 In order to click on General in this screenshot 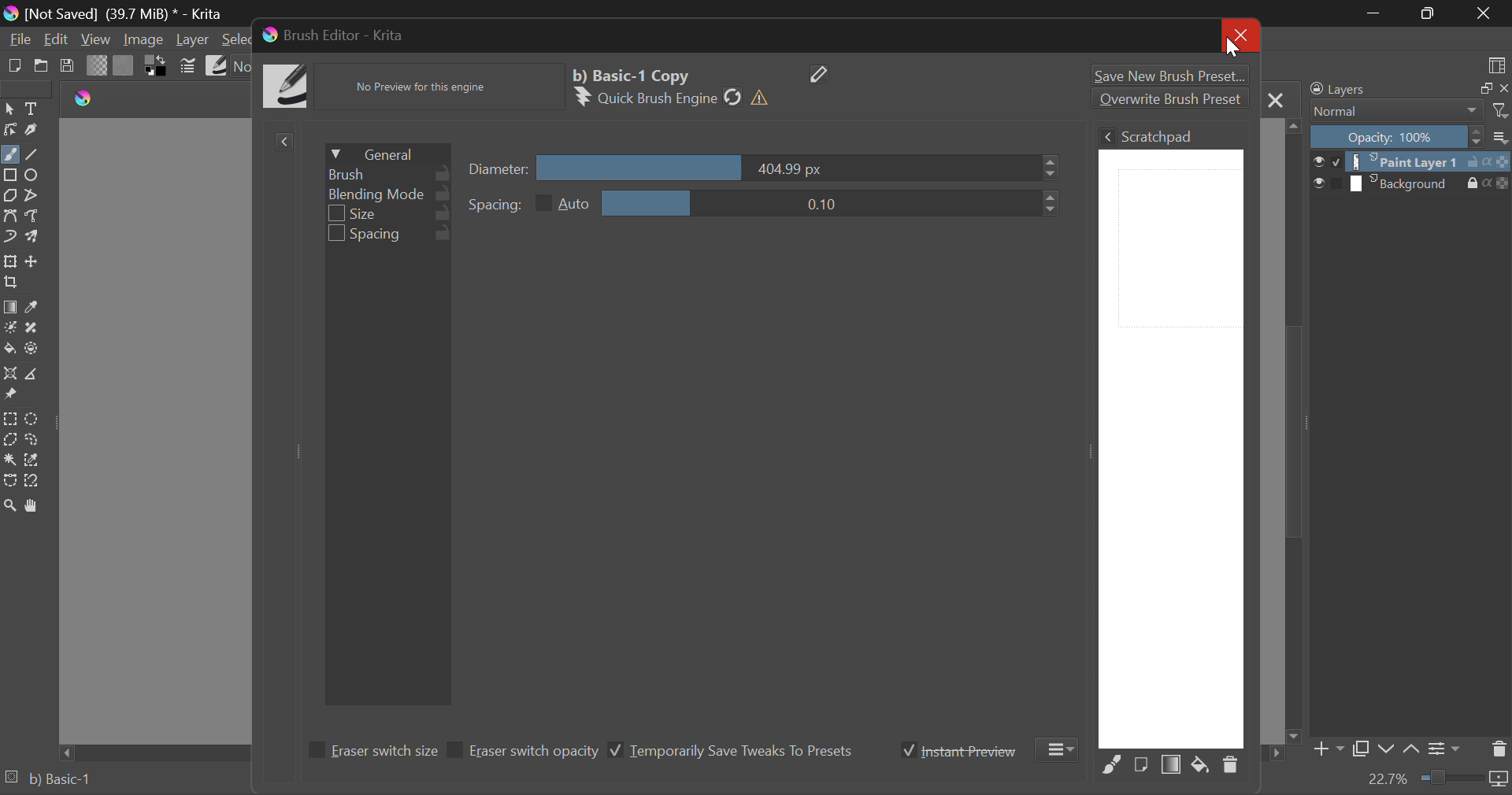, I will do `click(387, 152)`.